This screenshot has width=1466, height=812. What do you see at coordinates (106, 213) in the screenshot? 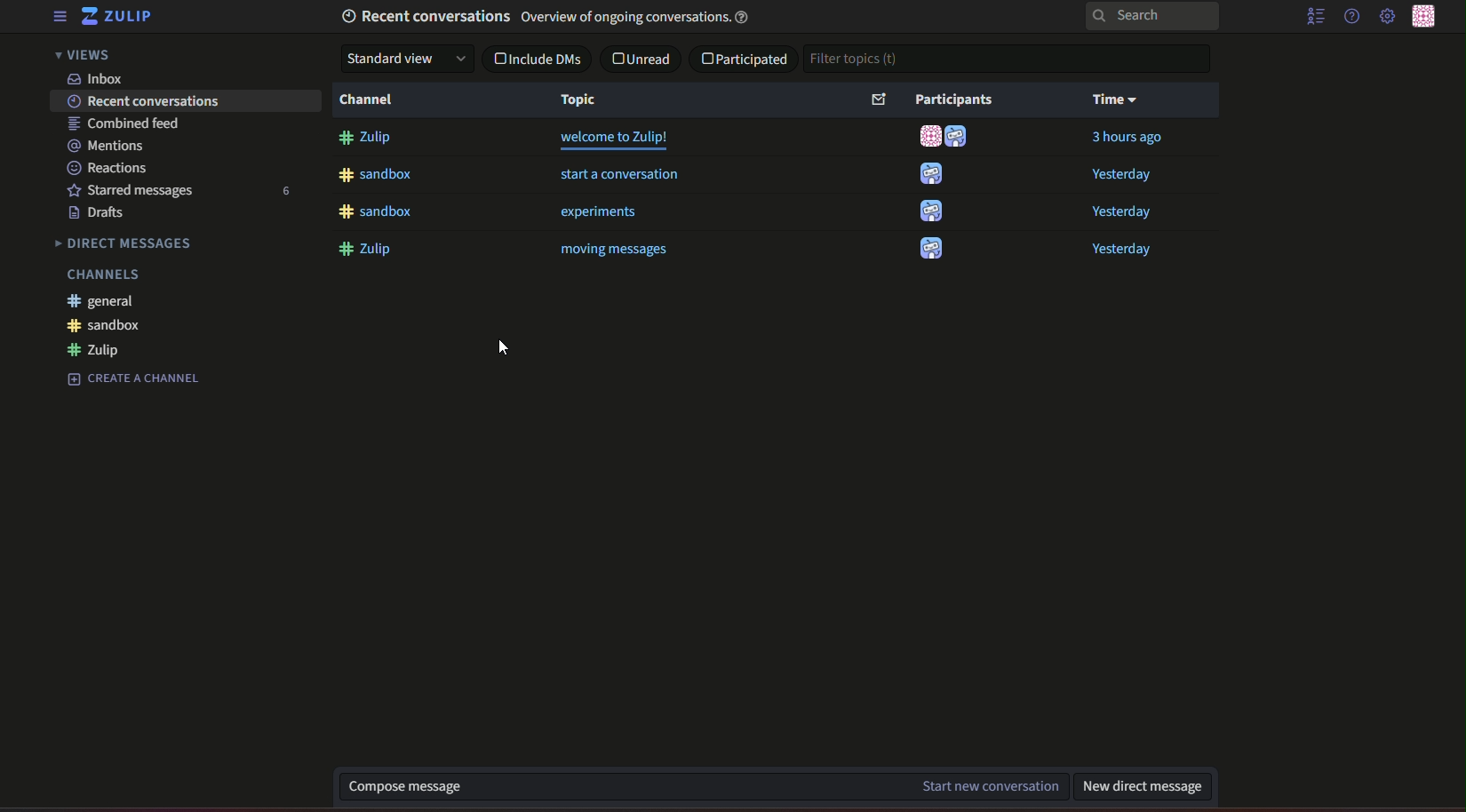
I see `drafts` at bounding box center [106, 213].